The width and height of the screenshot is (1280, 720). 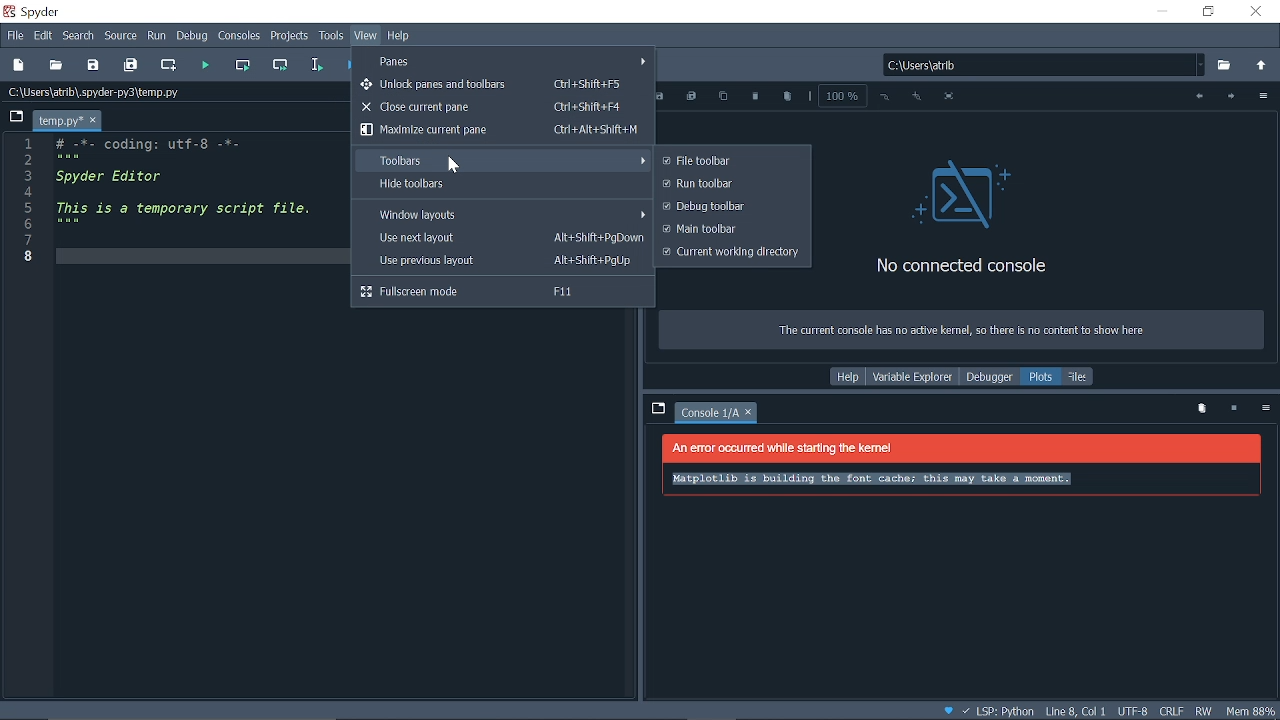 I want to click on Memory usgae, so click(x=1252, y=710).